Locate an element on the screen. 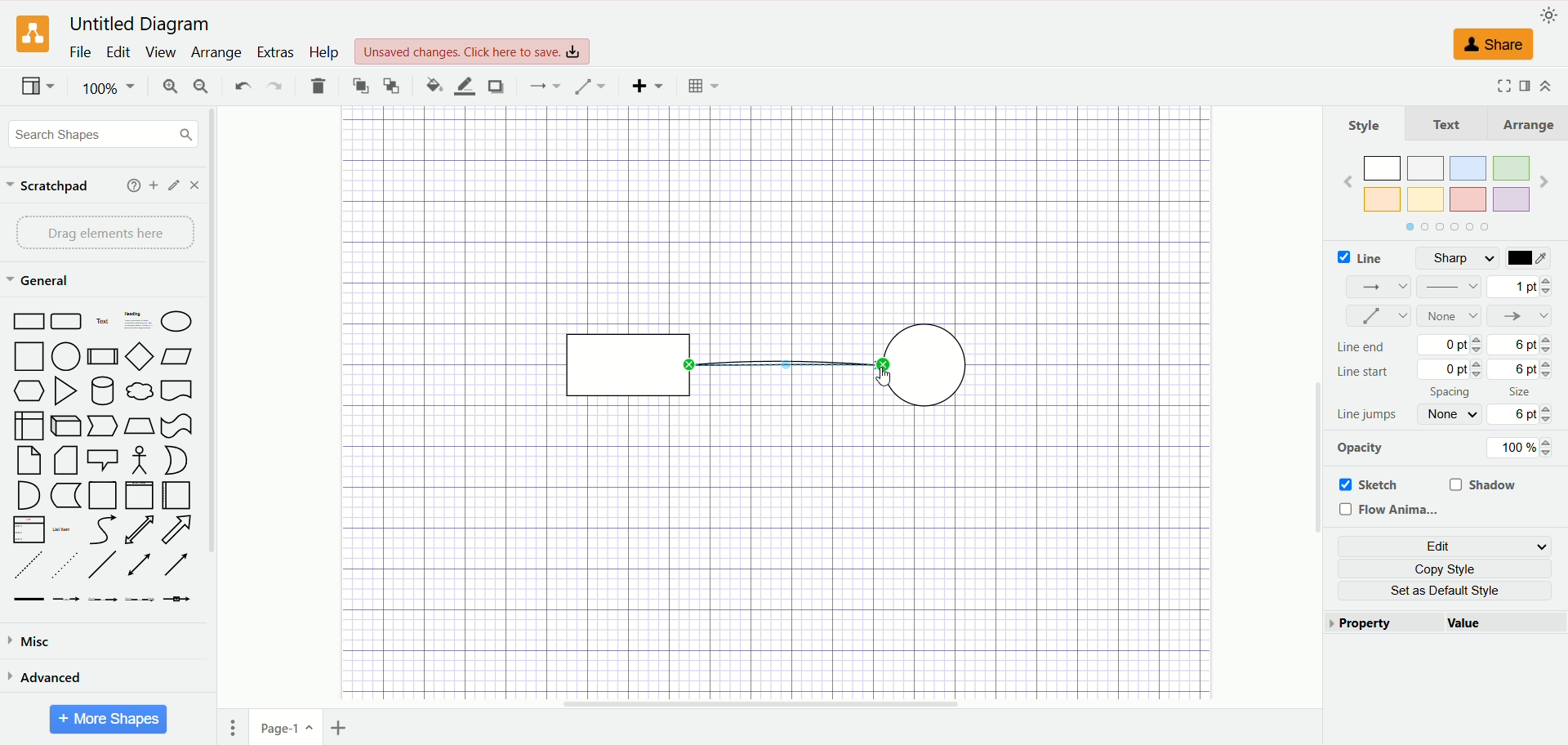  Sparsely Dotted Line is located at coordinates (65, 564).